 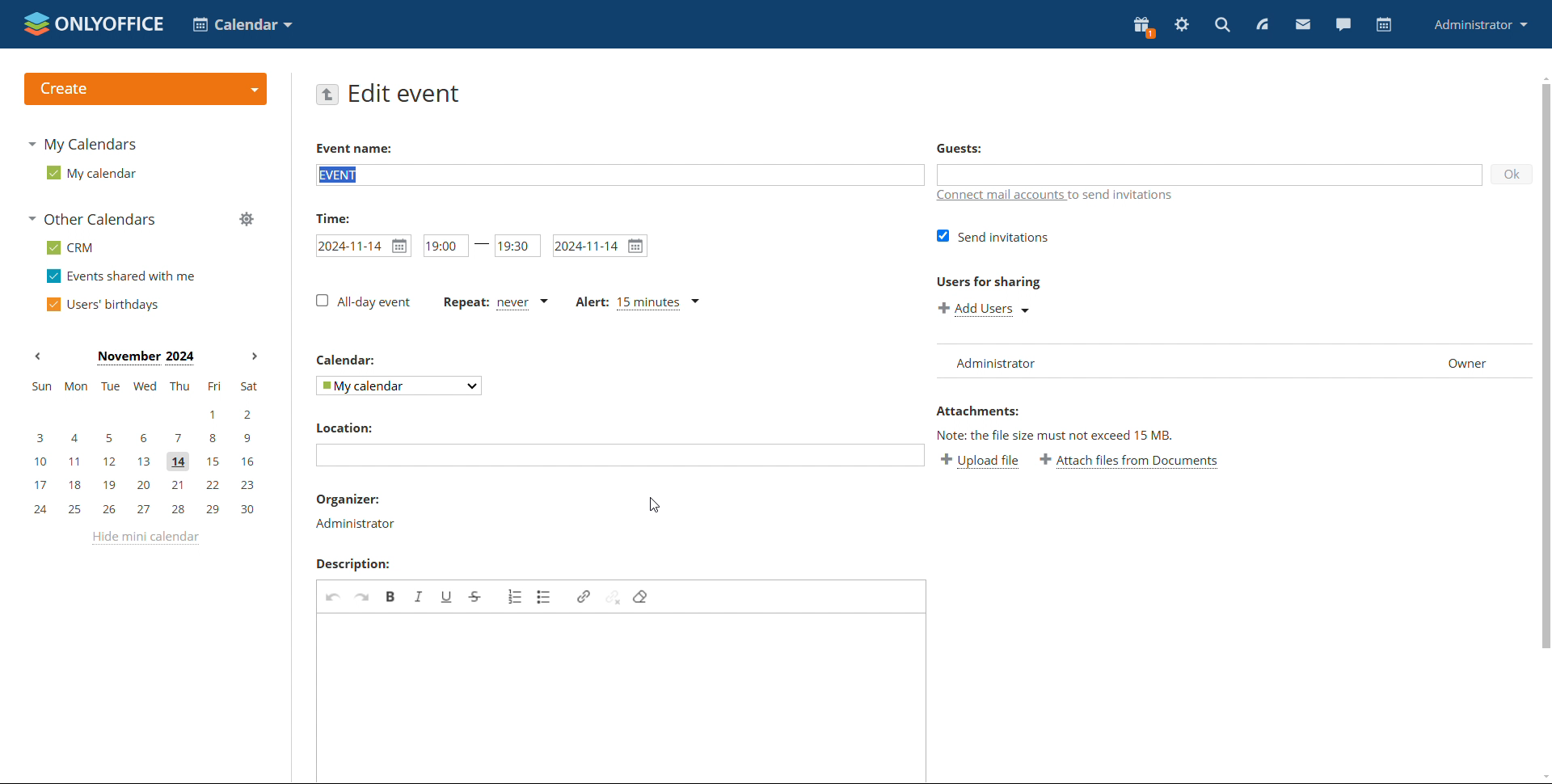 What do you see at coordinates (519, 247) in the screenshot?
I see `end time` at bounding box center [519, 247].